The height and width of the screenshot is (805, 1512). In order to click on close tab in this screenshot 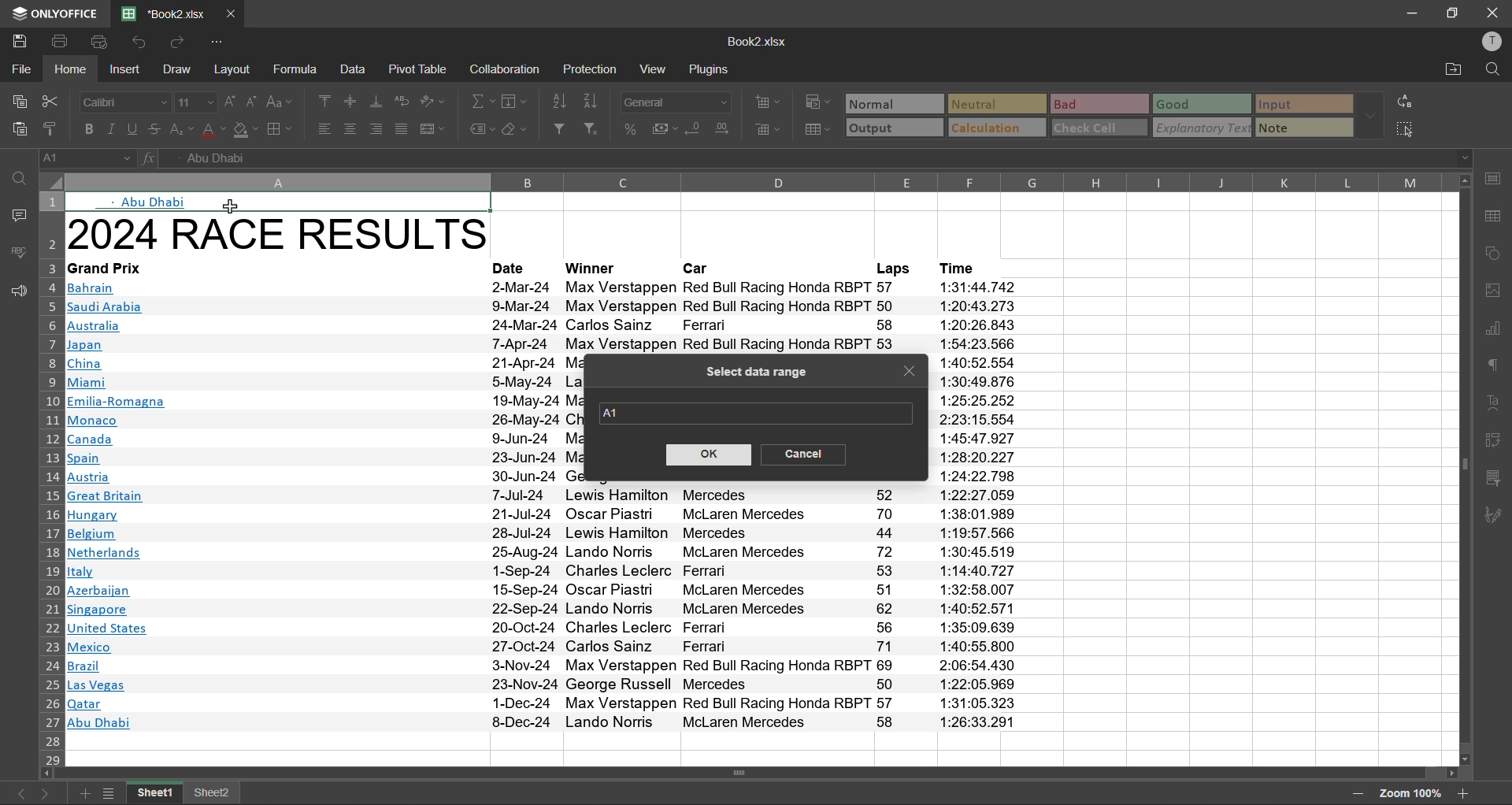, I will do `click(233, 13)`.